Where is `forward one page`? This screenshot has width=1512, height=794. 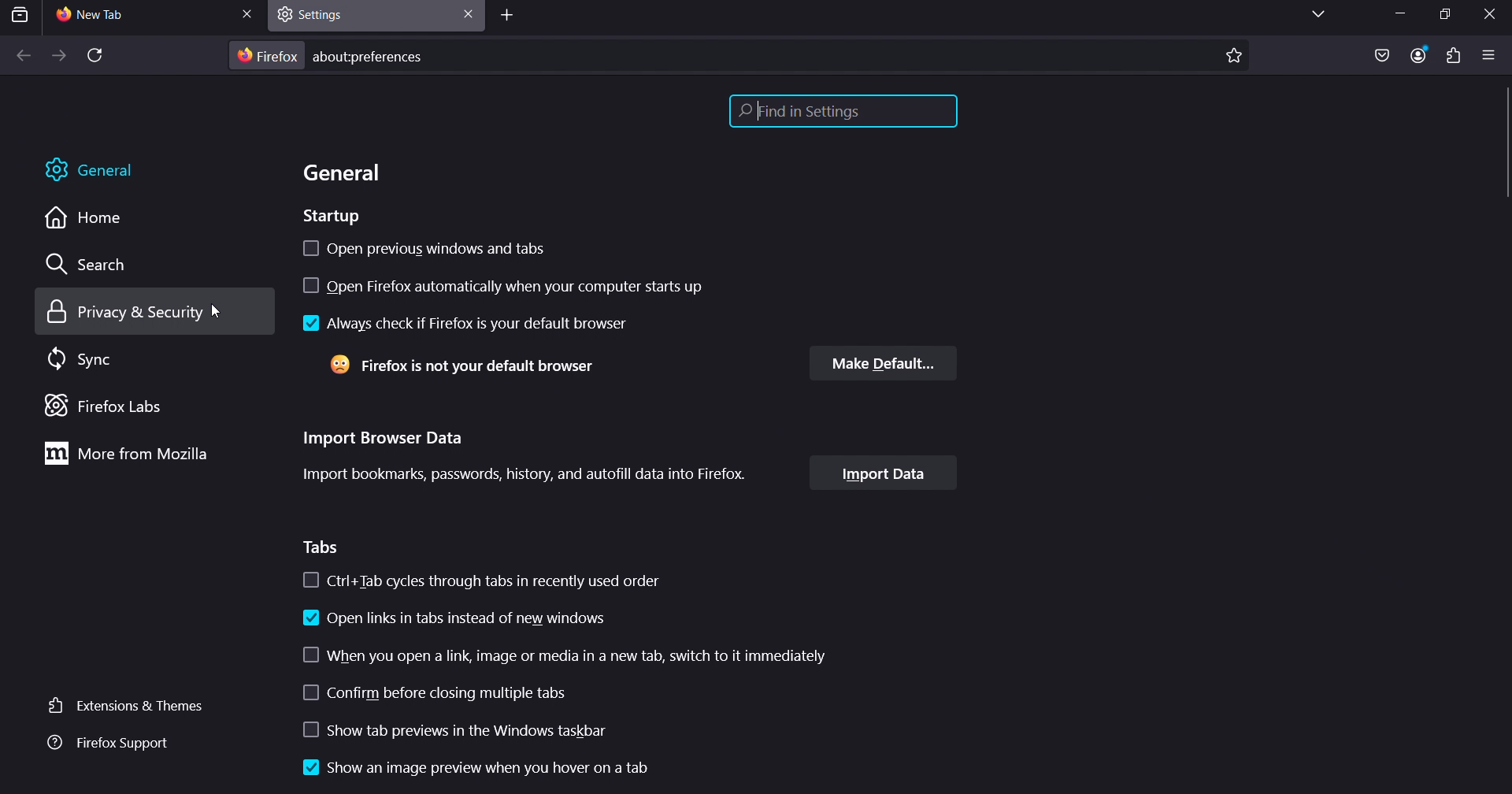
forward one page is located at coordinates (57, 57).